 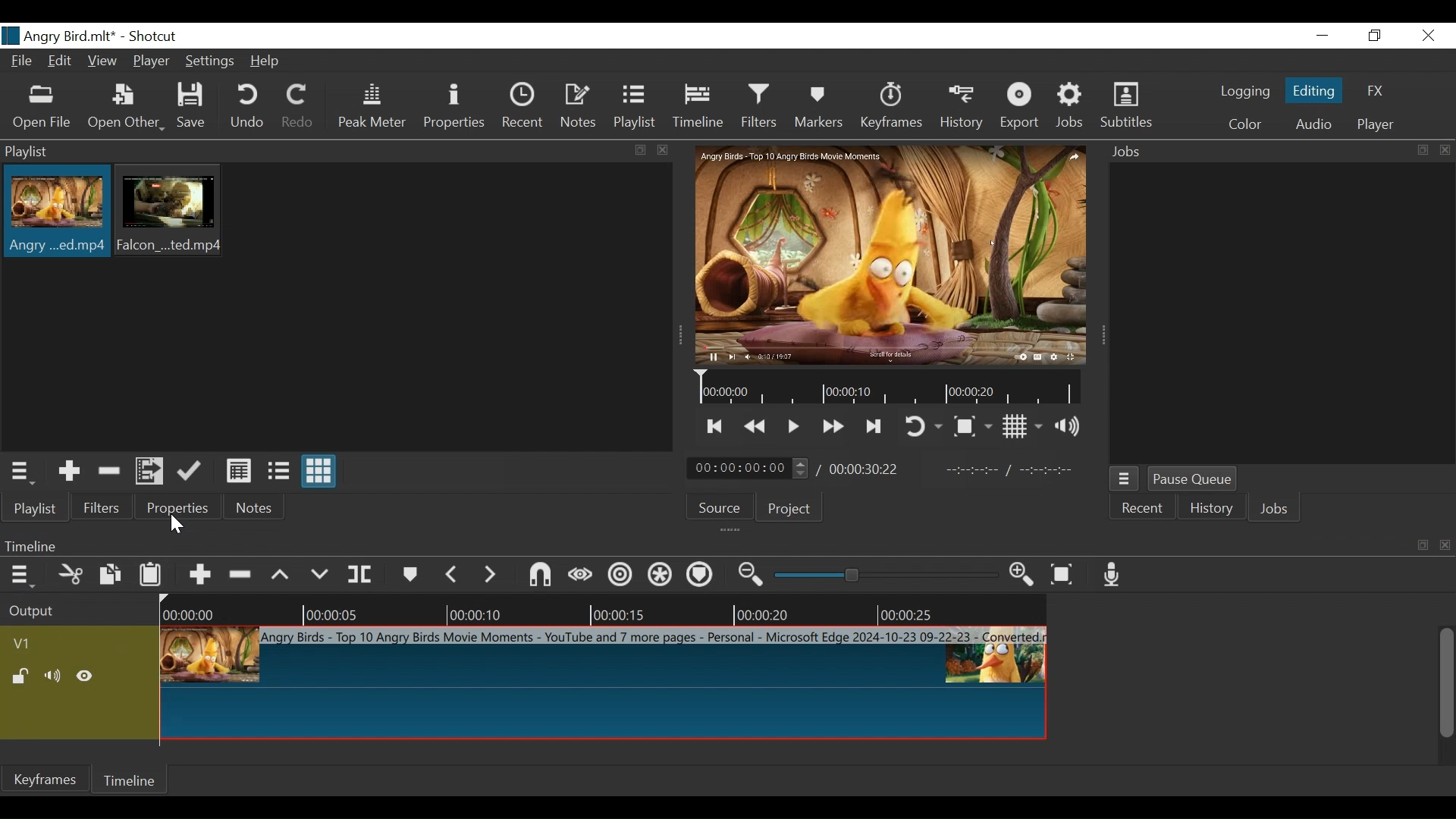 I want to click on Project, so click(x=789, y=509).